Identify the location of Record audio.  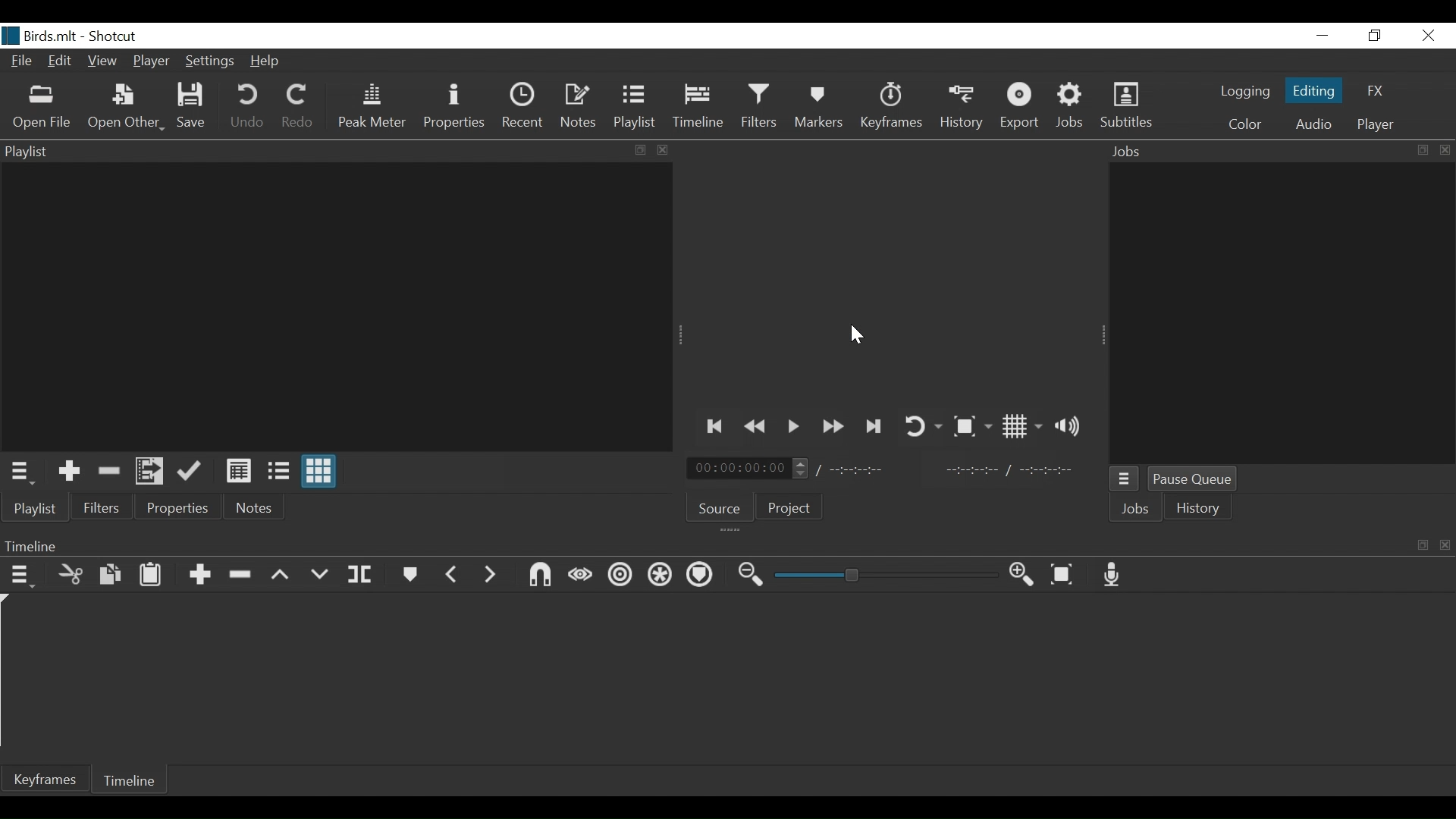
(1116, 575).